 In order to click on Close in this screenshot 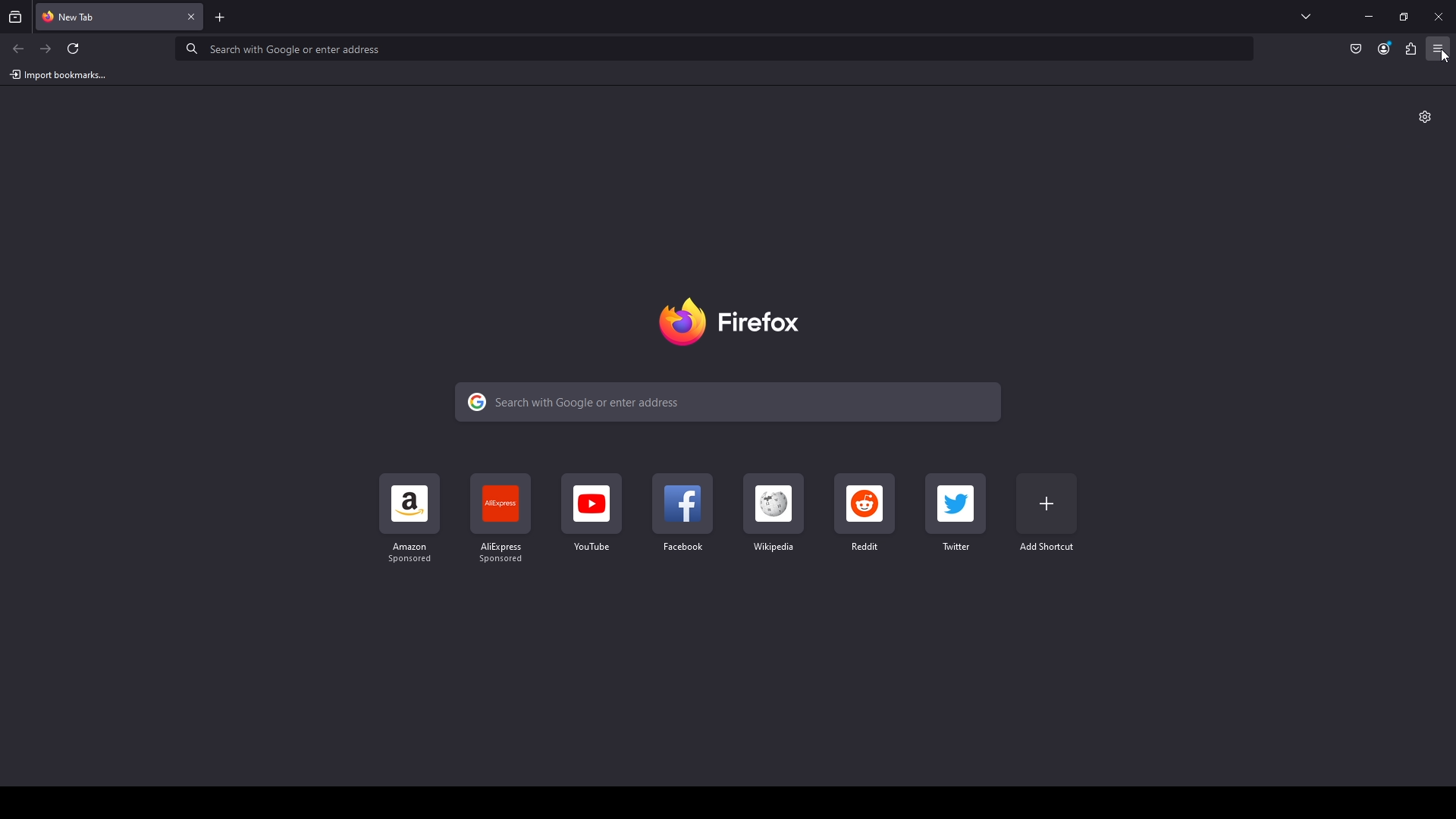, I will do `click(193, 17)`.